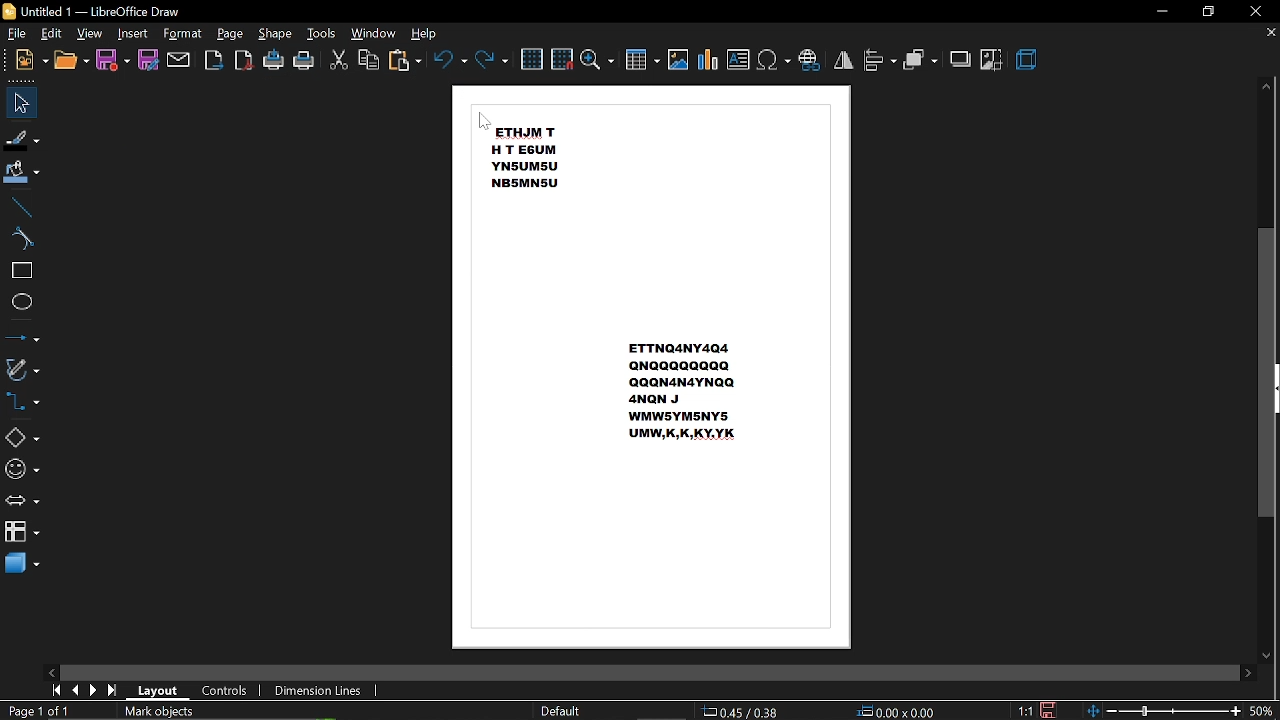 The image size is (1280, 720). Describe the element at coordinates (21, 238) in the screenshot. I see `curve` at that location.